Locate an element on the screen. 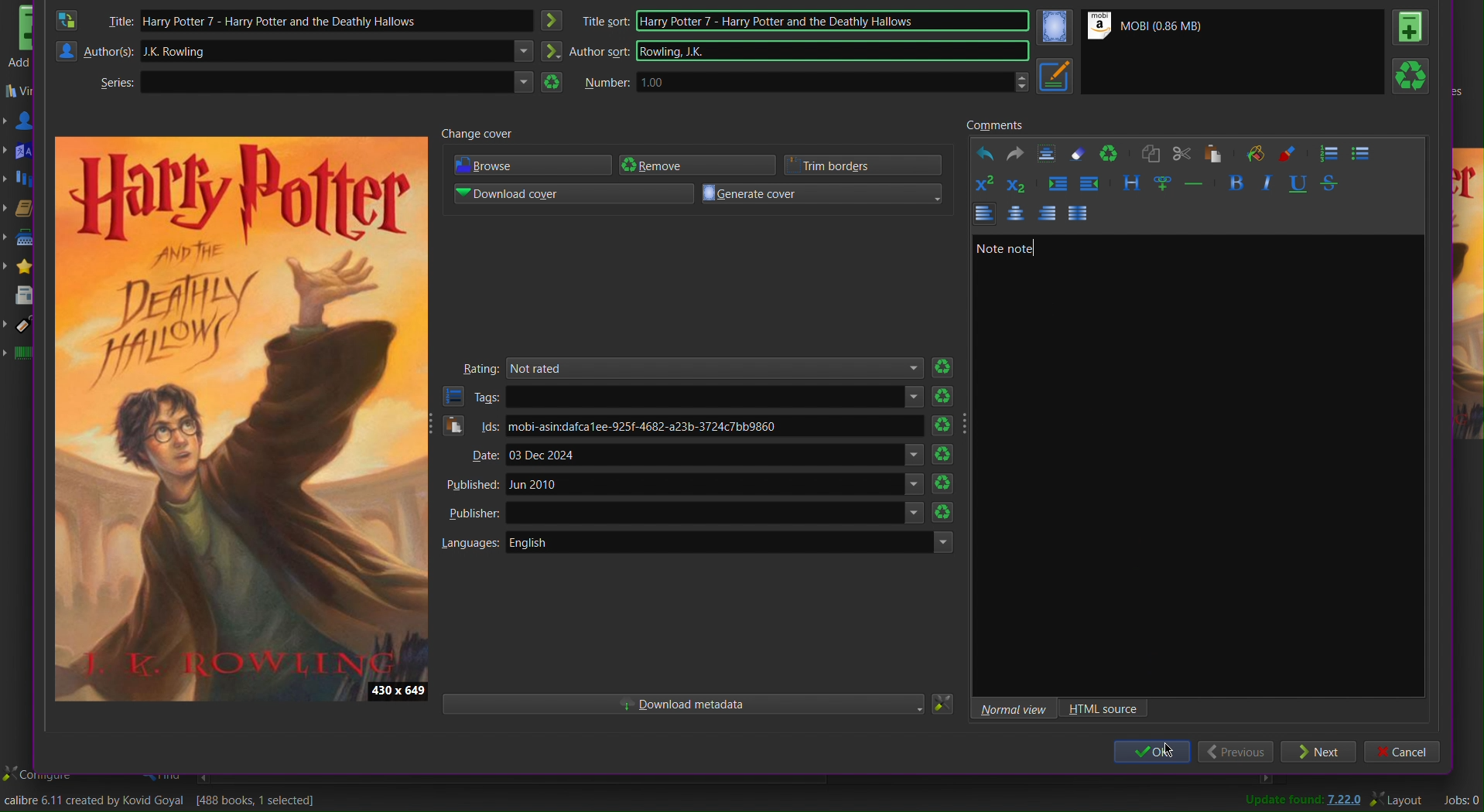 This screenshot has width=1484, height=812. Languages is located at coordinates (22, 151).